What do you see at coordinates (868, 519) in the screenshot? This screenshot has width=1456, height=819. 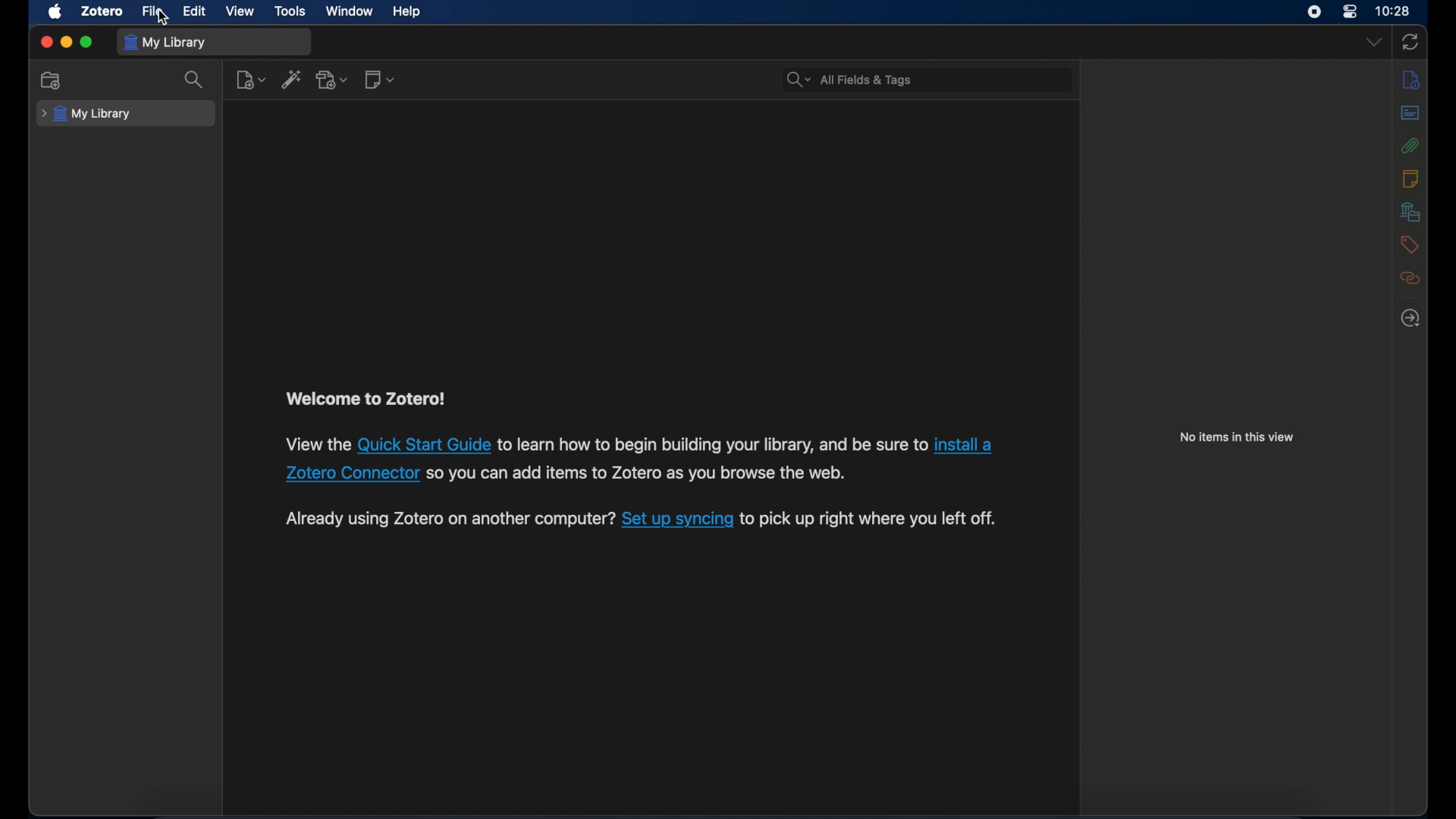 I see `link` at bounding box center [868, 519].